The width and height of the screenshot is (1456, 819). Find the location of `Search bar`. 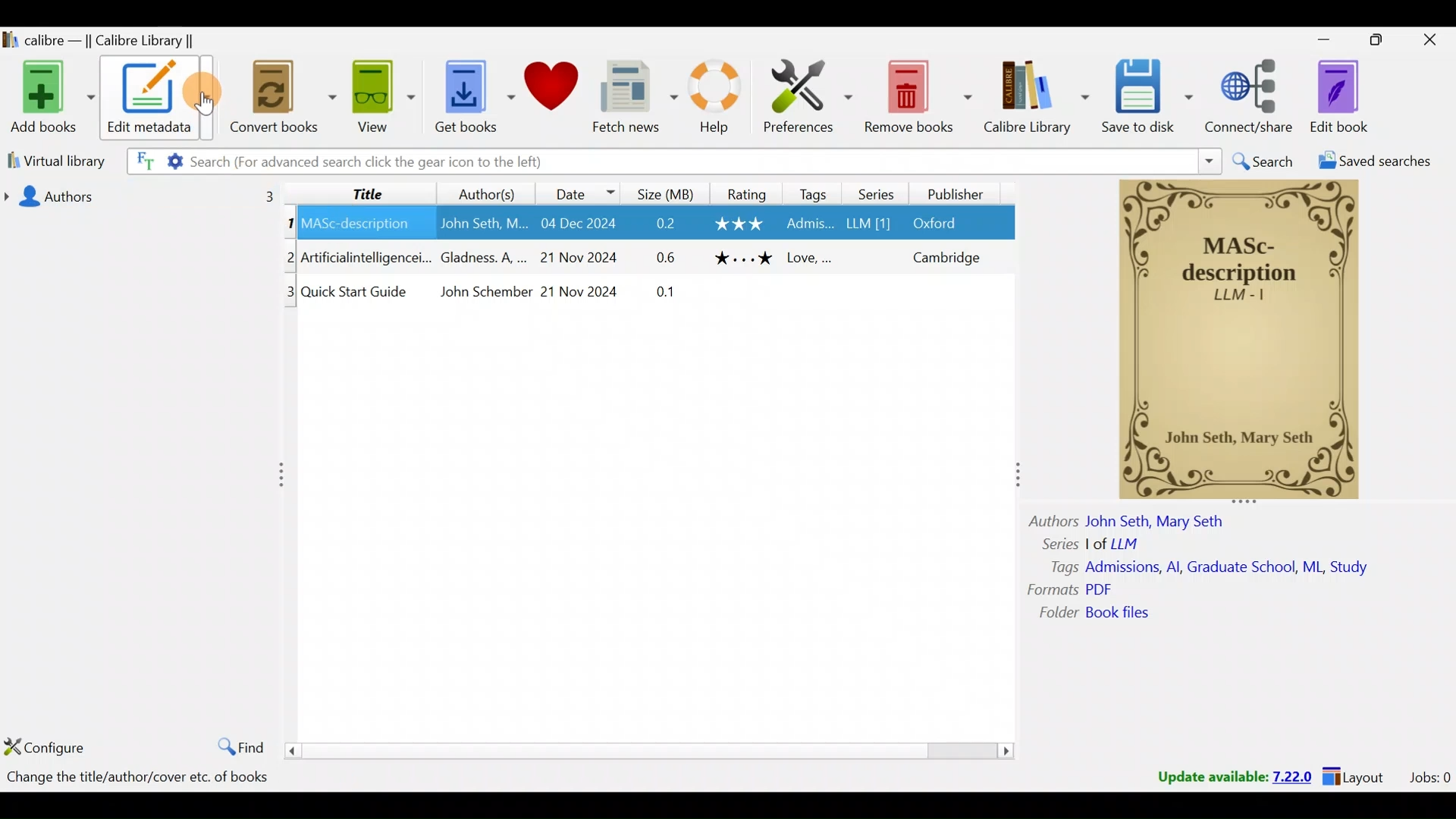

Search bar is located at coordinates (676, 162).